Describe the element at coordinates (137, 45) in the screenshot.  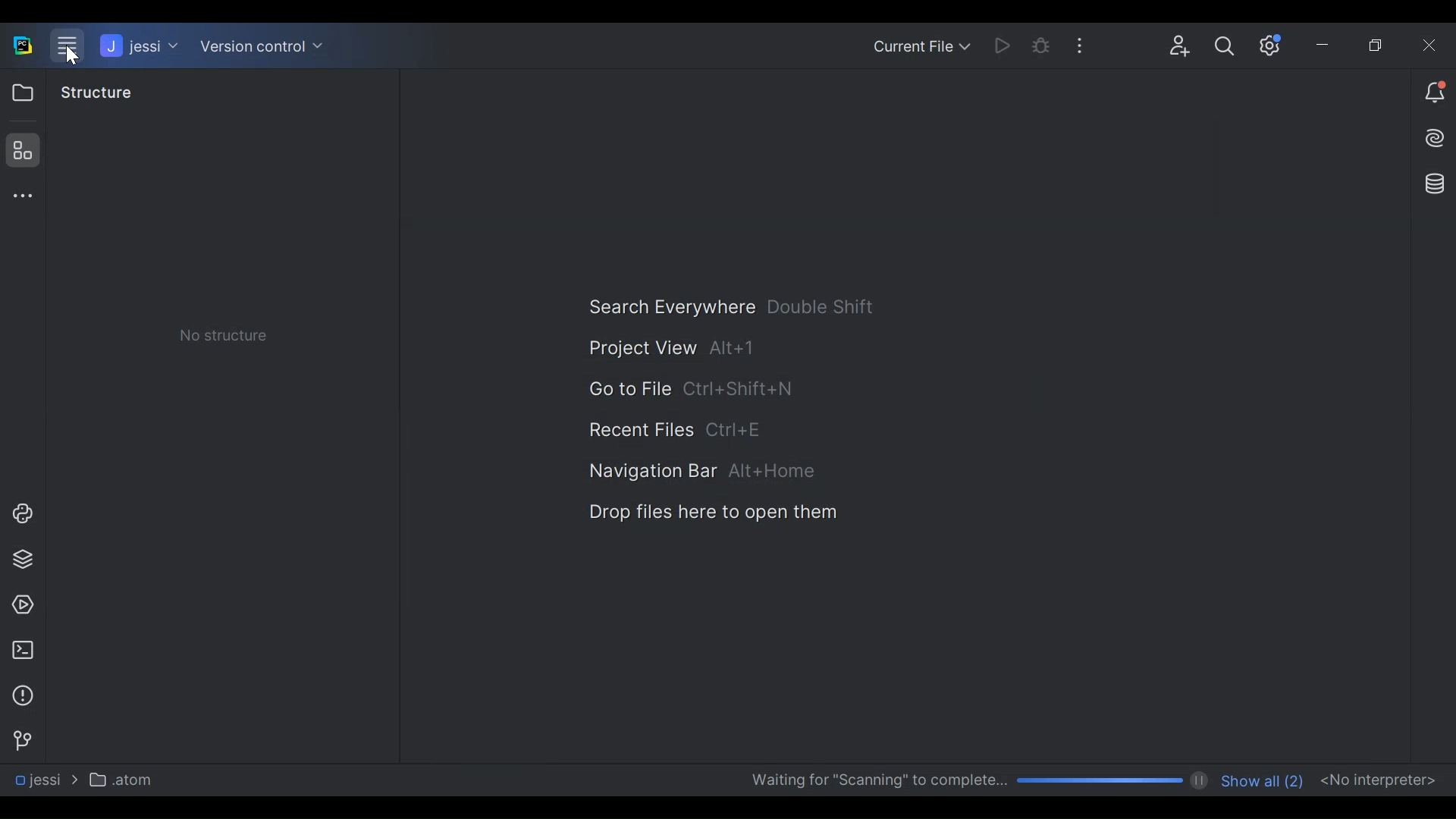
I see `jessi` at that location.